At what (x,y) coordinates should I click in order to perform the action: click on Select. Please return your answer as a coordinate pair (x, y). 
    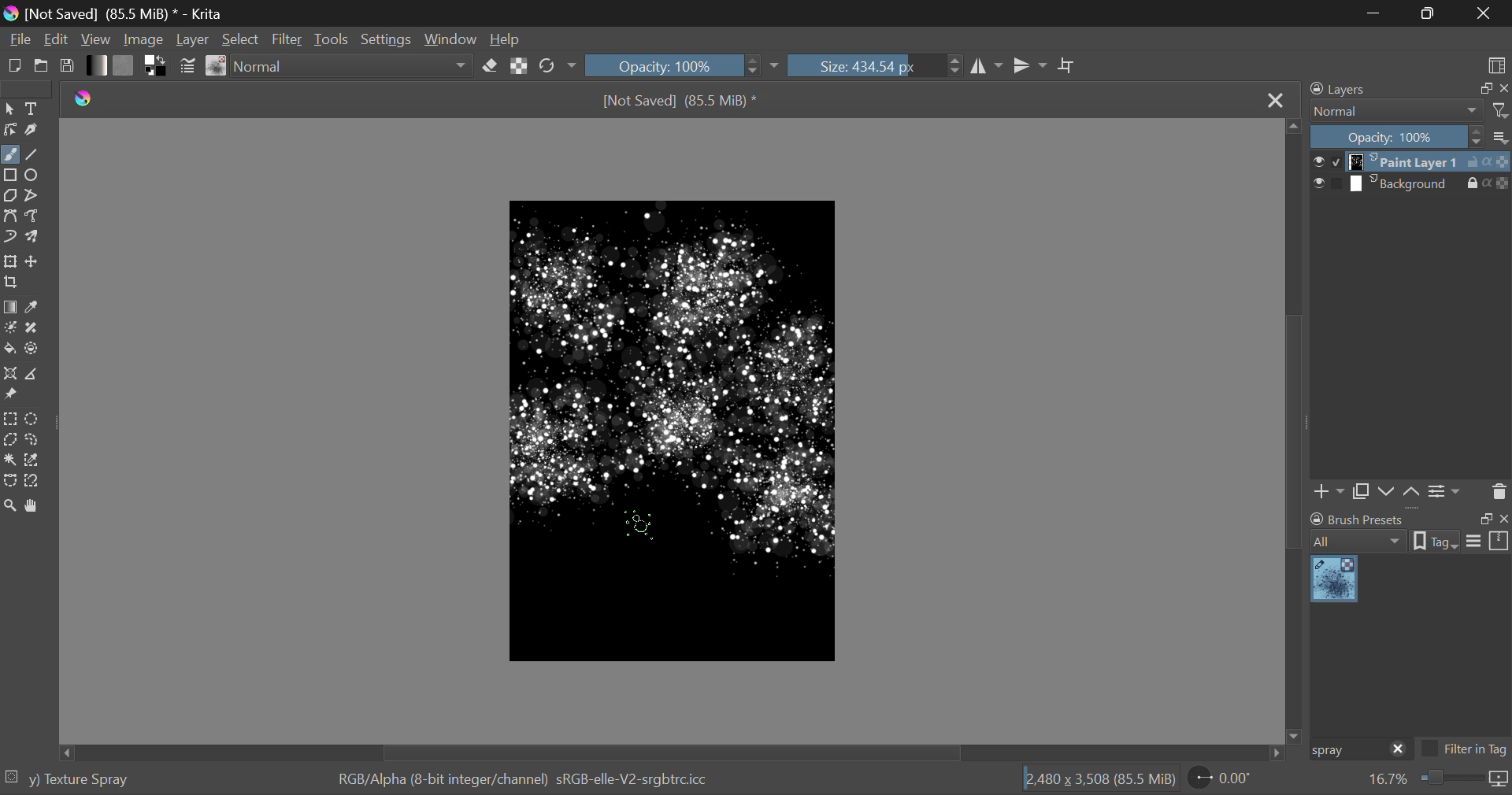
    Looking at the image, I should click on (9, 109).